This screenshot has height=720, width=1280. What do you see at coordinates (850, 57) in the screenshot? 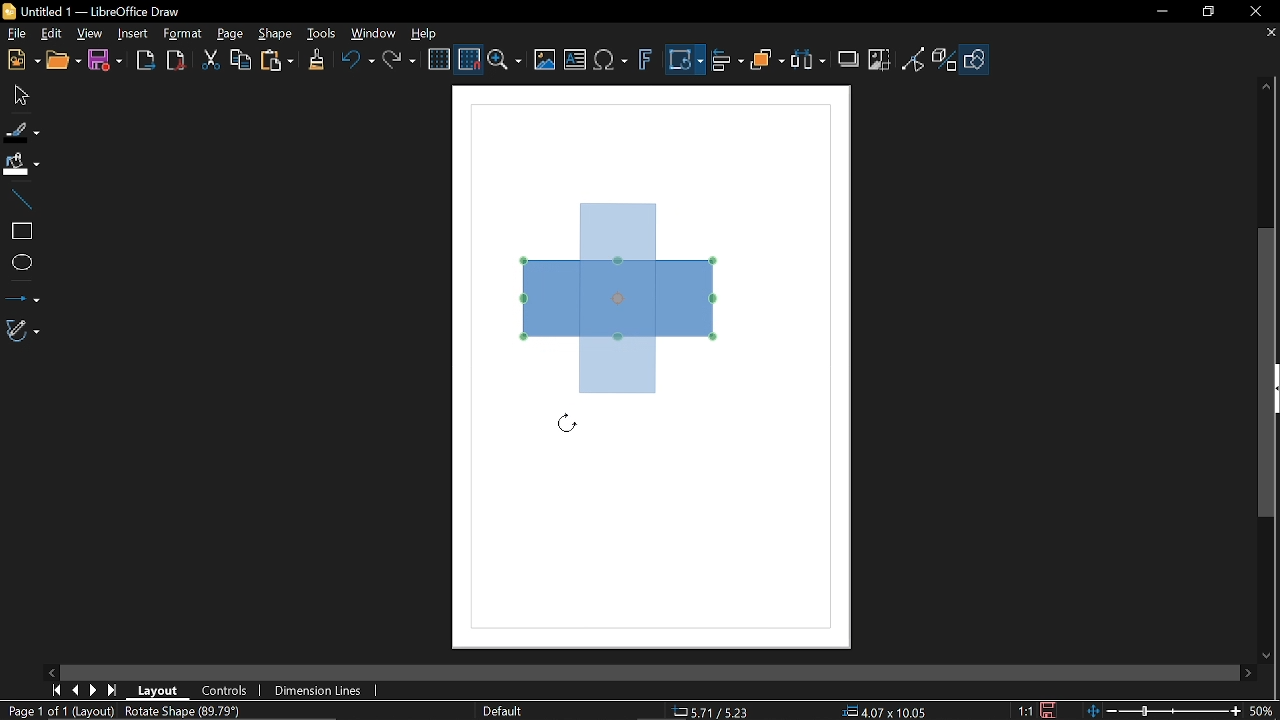
I see `Shadow` at bounding box center [850, 57].